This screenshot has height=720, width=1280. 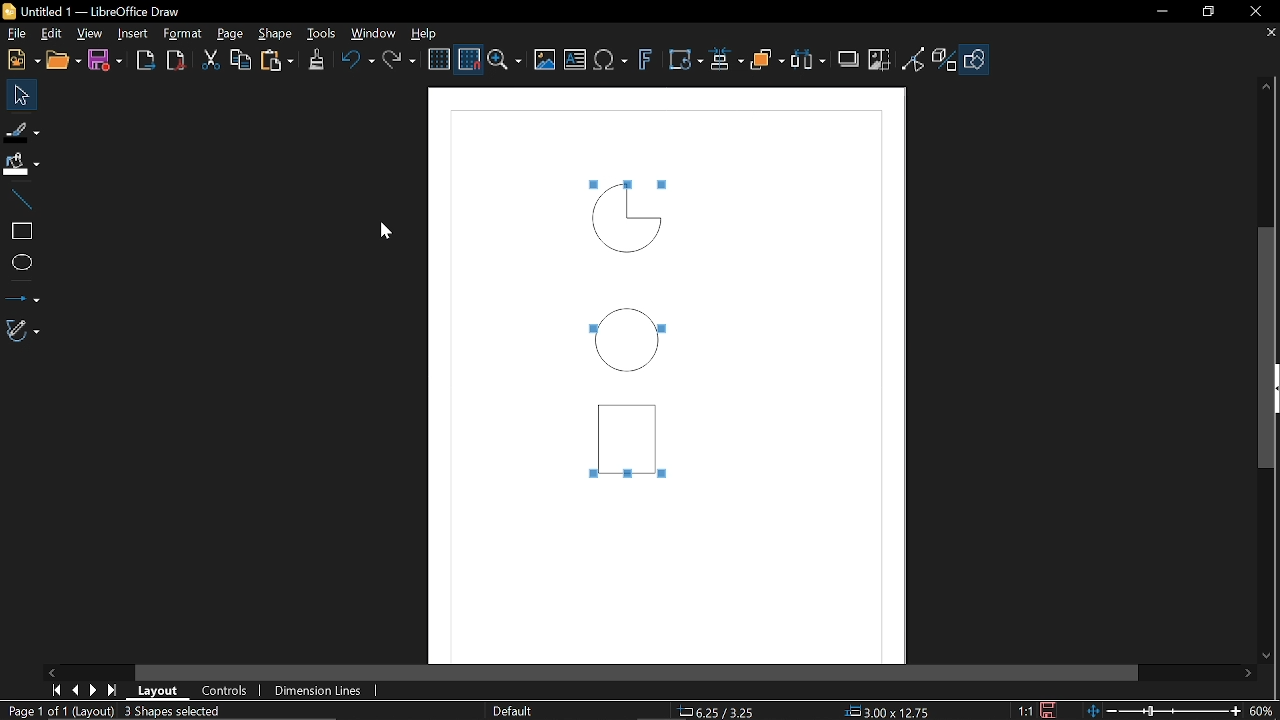 What do you see at coordinates (646, 62) in the screenshot?
I see `Insert Fontwork` at bounding box center [646, 62].